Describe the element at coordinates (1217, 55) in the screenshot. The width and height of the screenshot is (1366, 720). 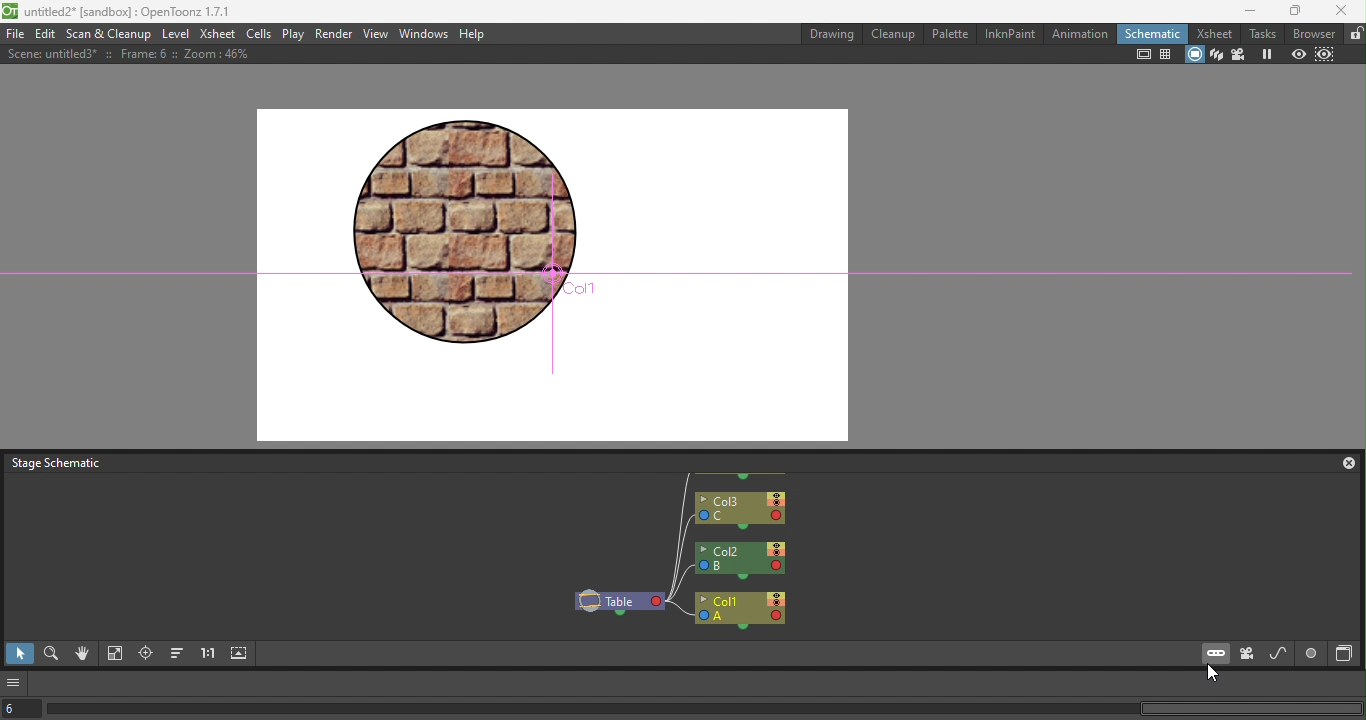
I see `3D view` at that location.